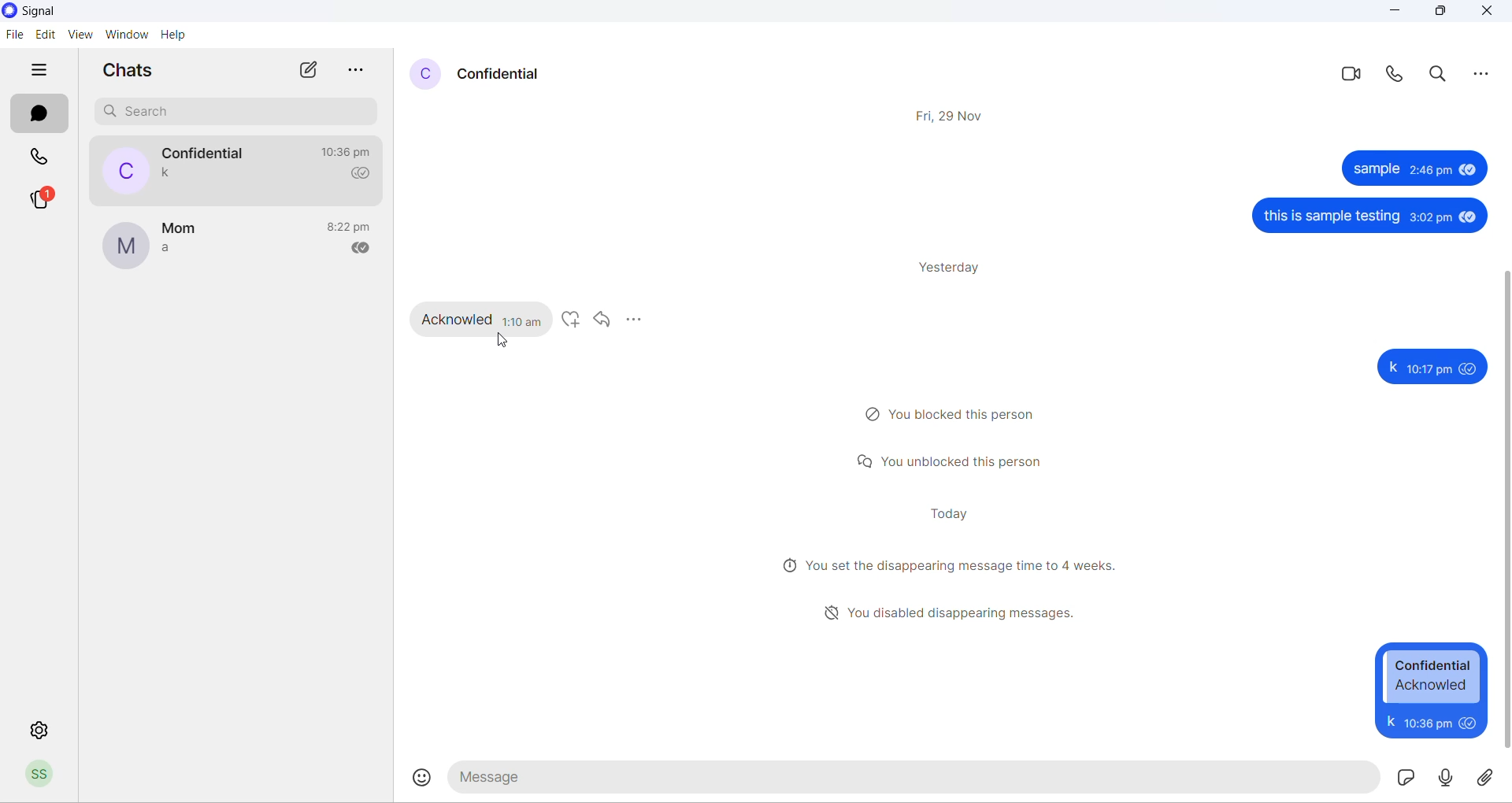  I want to click on Acknowled, so click(457, 318).